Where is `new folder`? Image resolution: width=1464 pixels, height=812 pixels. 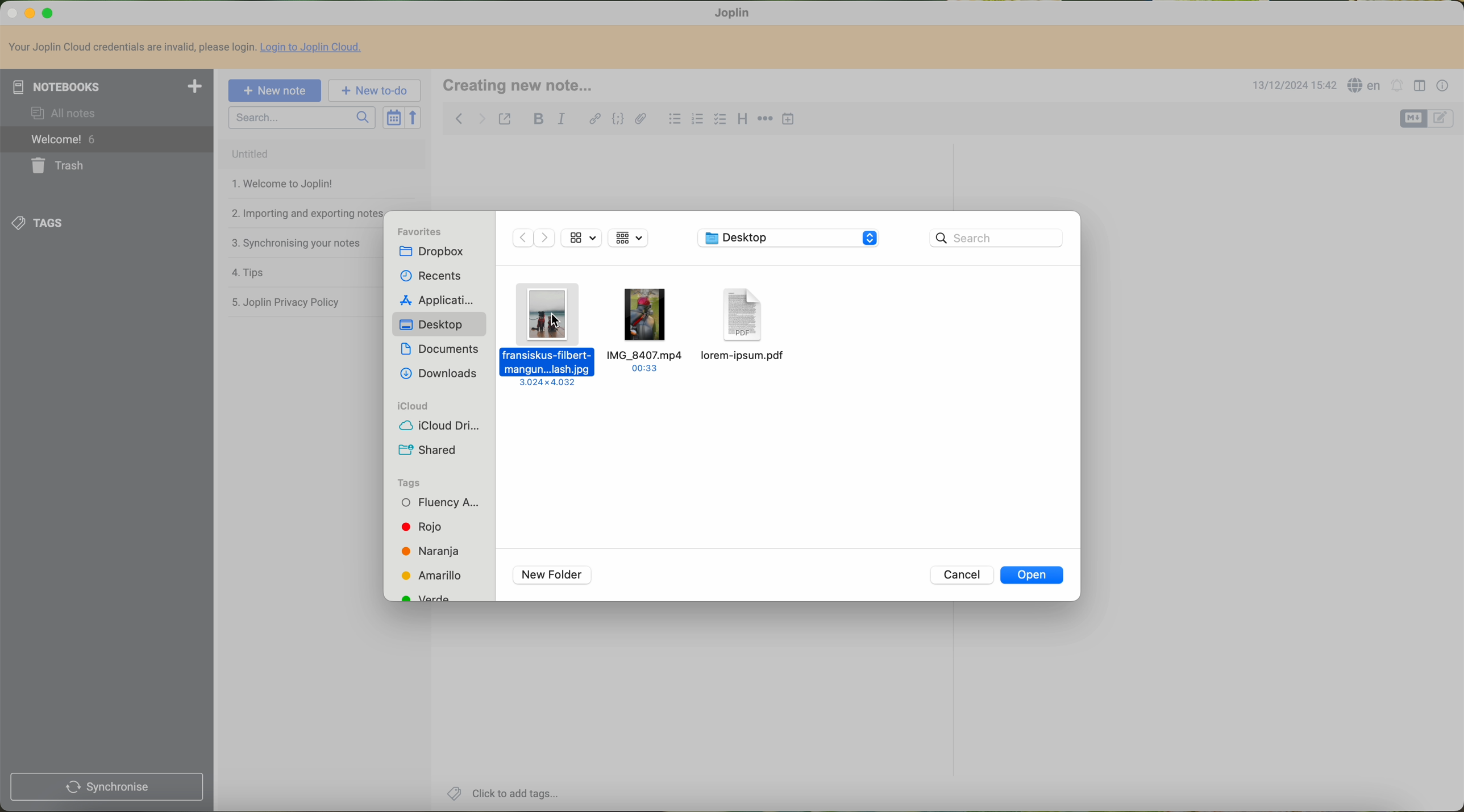
new folder is located at coordinates (554, 574).